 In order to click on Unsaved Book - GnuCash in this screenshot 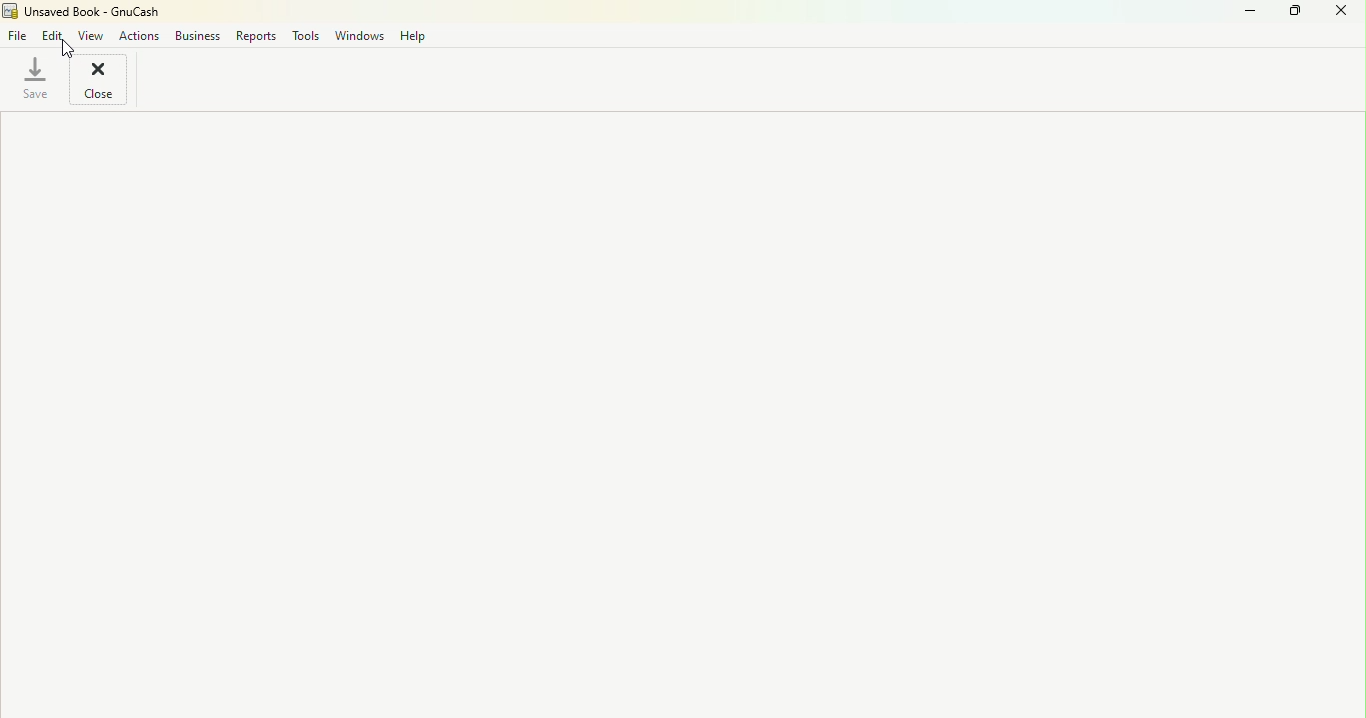, I will do `click(90, 11)`.